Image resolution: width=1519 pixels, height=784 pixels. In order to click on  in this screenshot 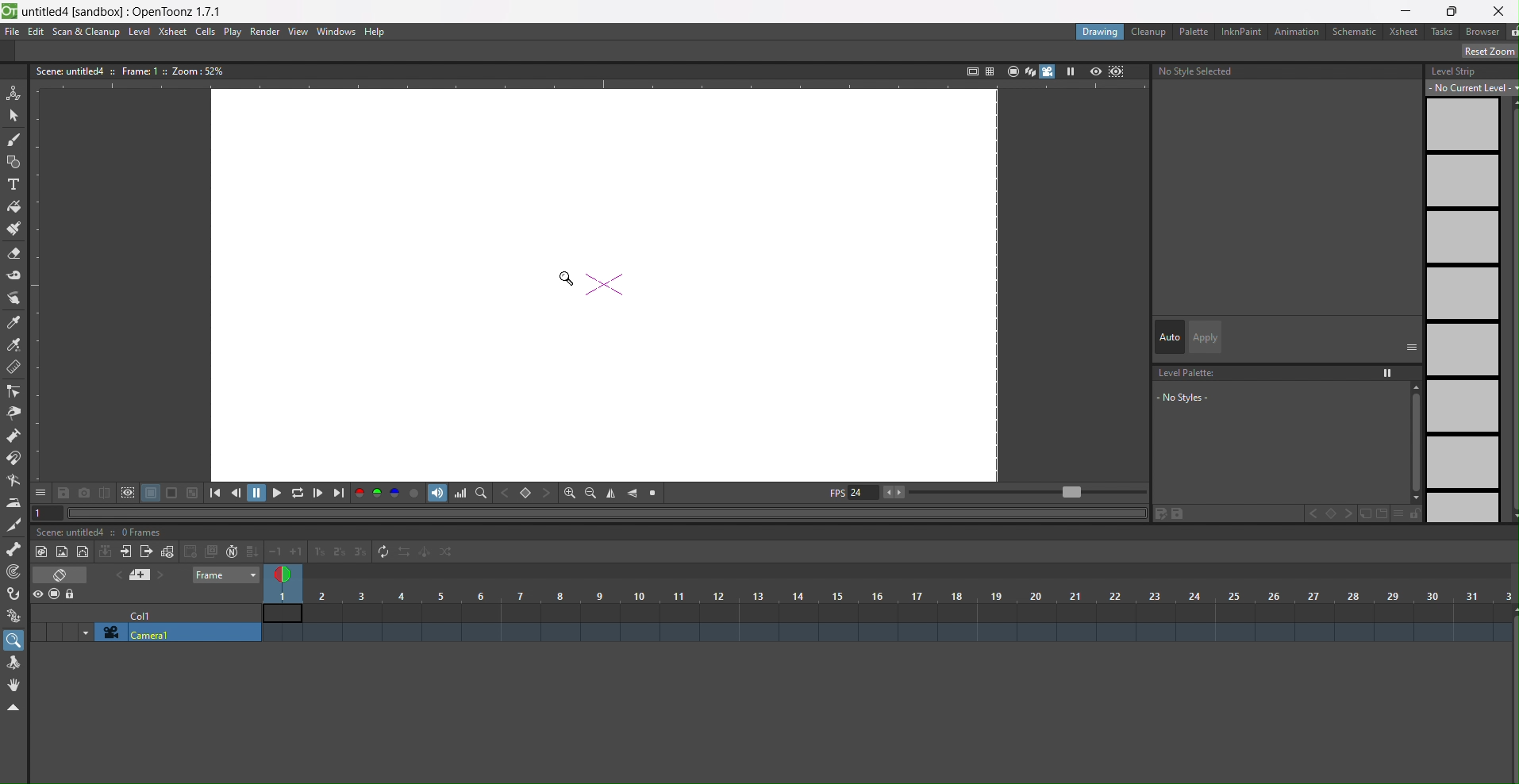, I will do `click(402, 553)`.